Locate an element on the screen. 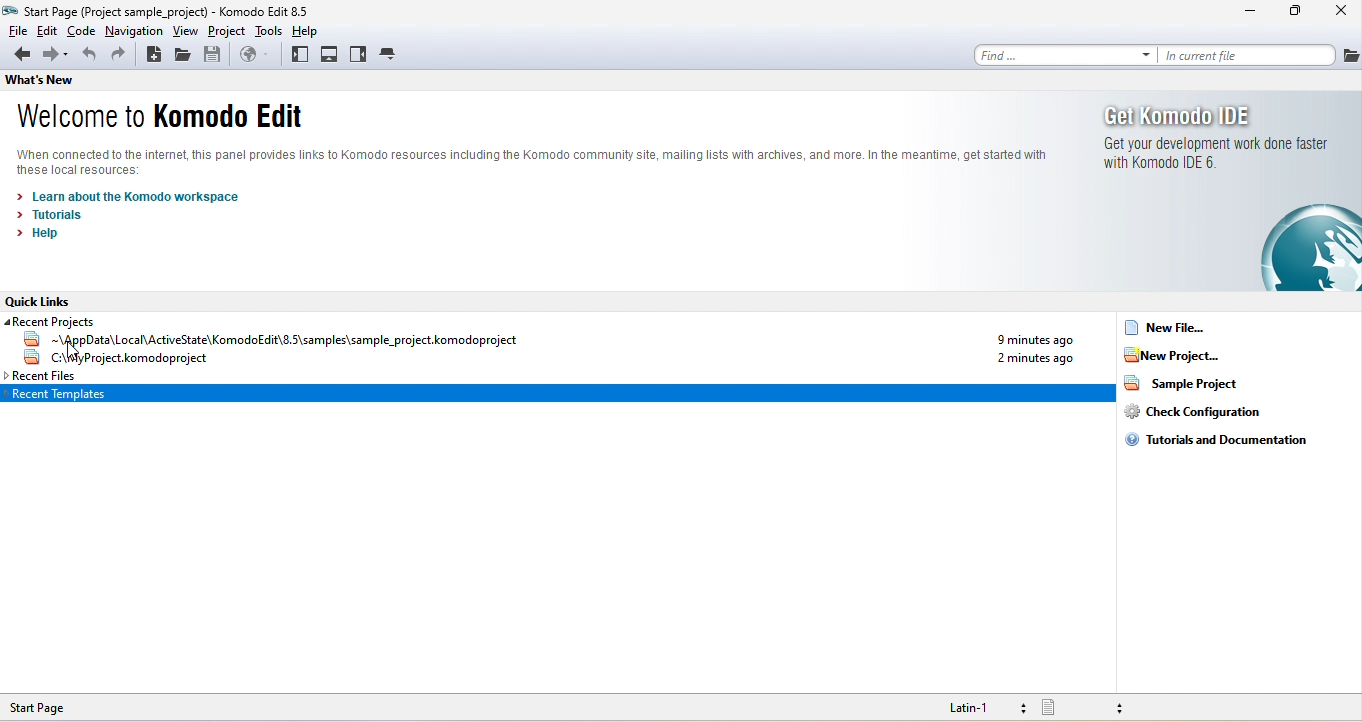 The height and width of the screenshot is (722, 1362). browse is located at coordinates (255, 53).